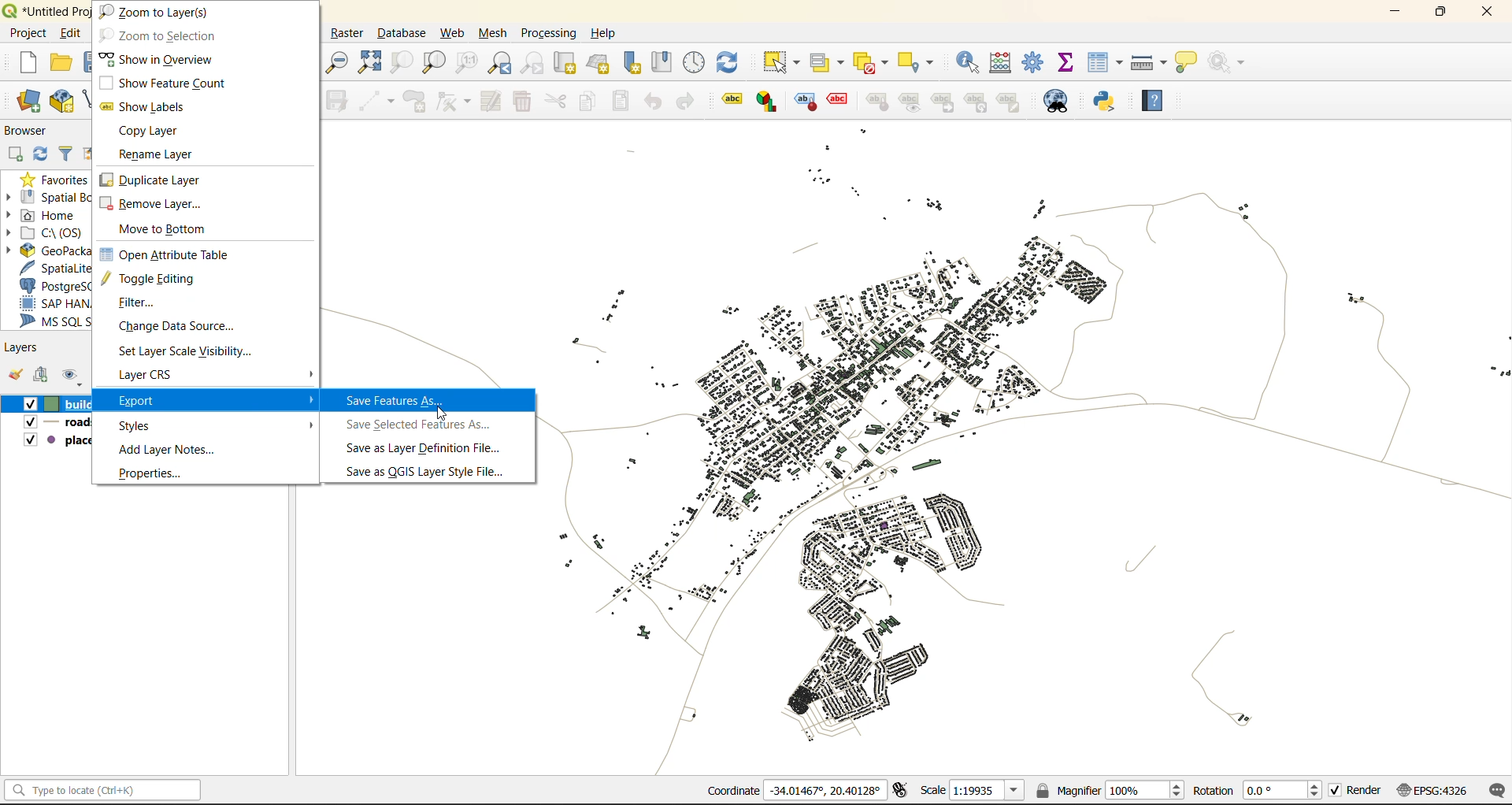 The width and height of the screenshot is (1512, 805). What do you see at coordinates (1068, 62) in the screenshot?
I see `statistical summary` at bounding box center [1068, 62].